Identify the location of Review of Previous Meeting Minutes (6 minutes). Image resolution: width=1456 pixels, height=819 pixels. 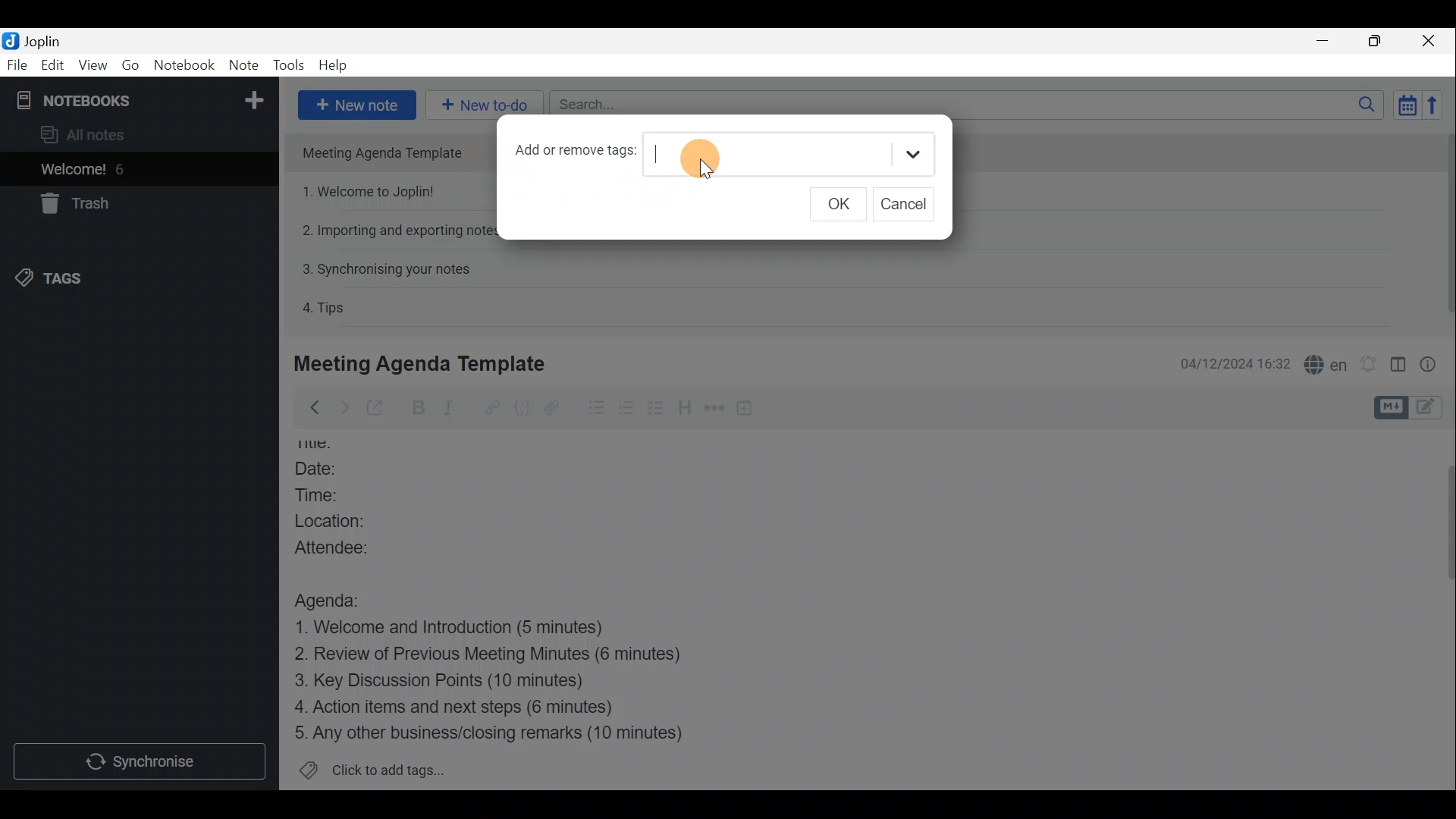
(512, 657).